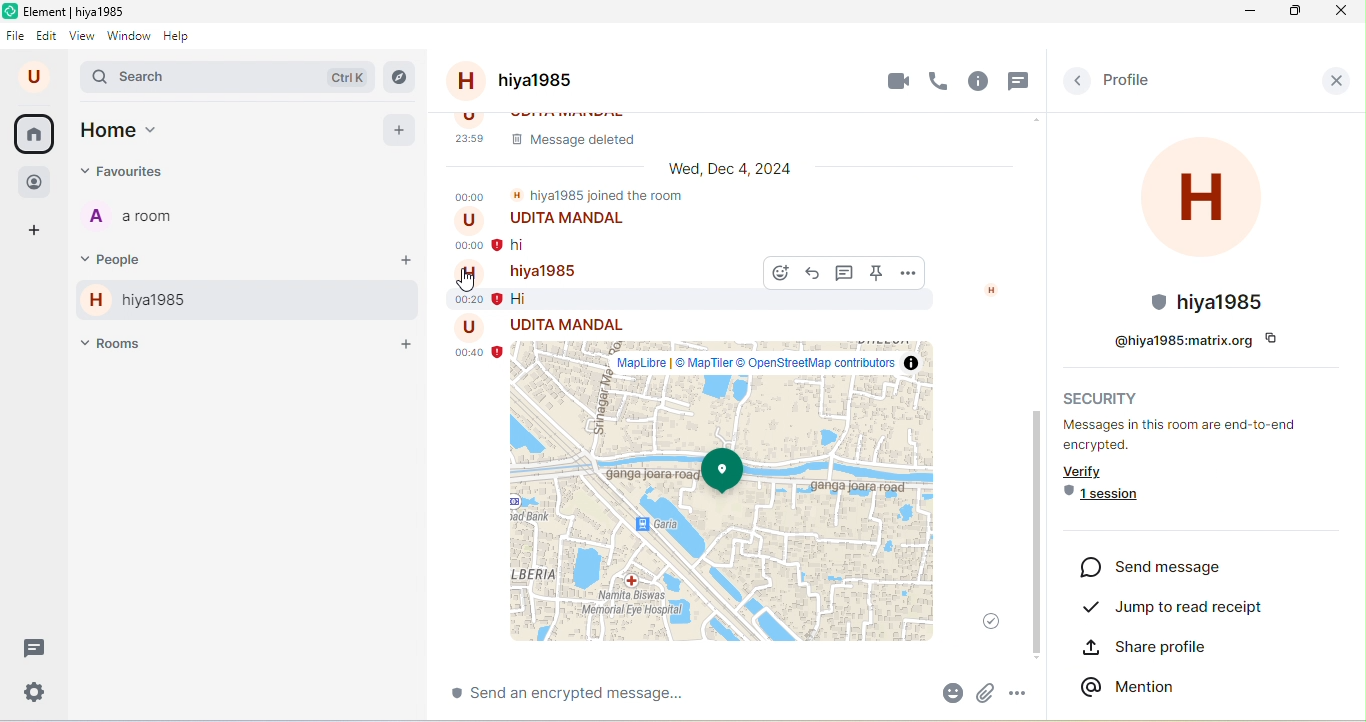 This screenshot has width=1366, height=722. Describe the element at coordinates (1165, 569) in the screenshot. I see `send message` at that location.